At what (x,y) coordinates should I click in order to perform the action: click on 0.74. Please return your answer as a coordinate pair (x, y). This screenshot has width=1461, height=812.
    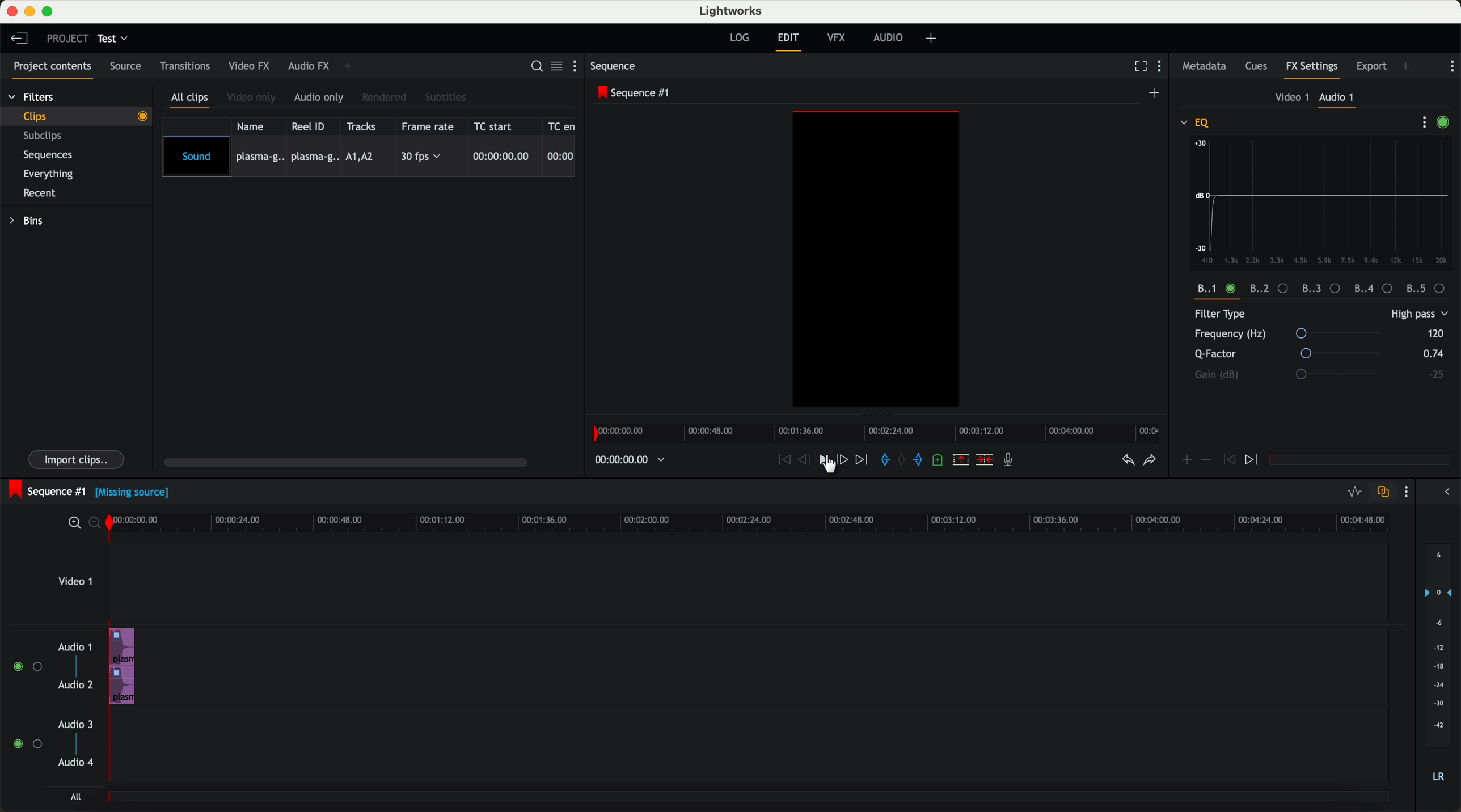
    Looking at the image, I should click on (1430, 354).